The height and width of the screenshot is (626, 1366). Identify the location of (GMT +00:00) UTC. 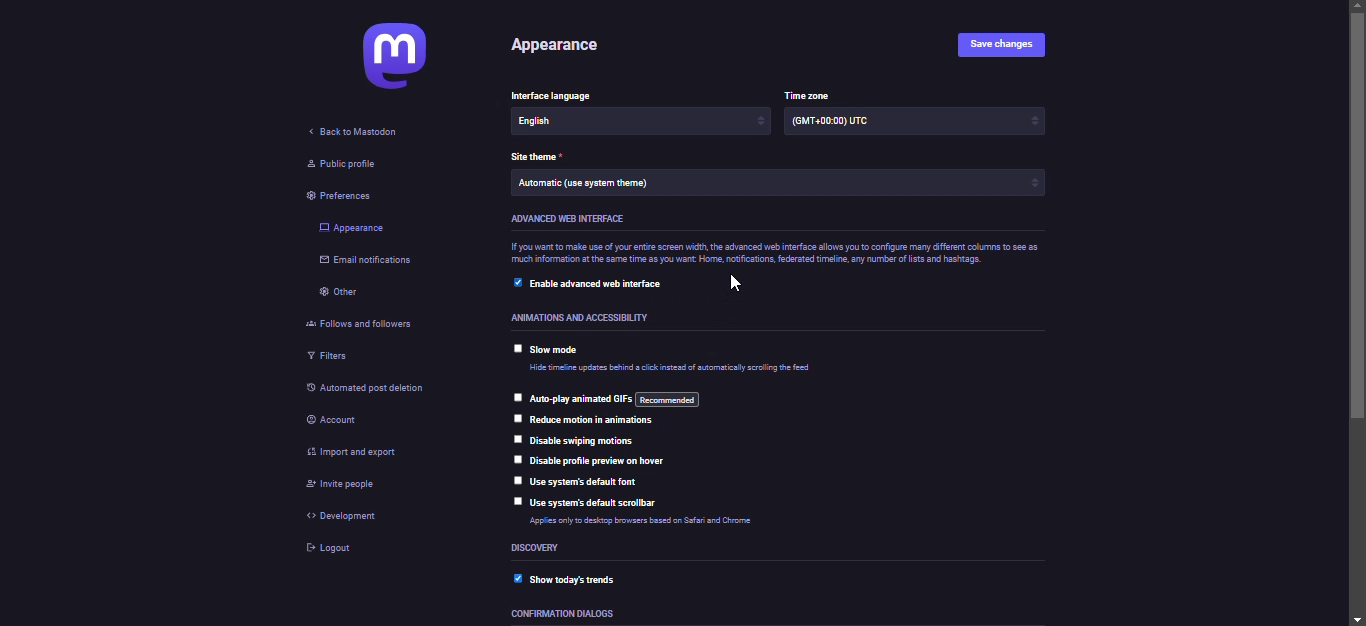
(900, 121).